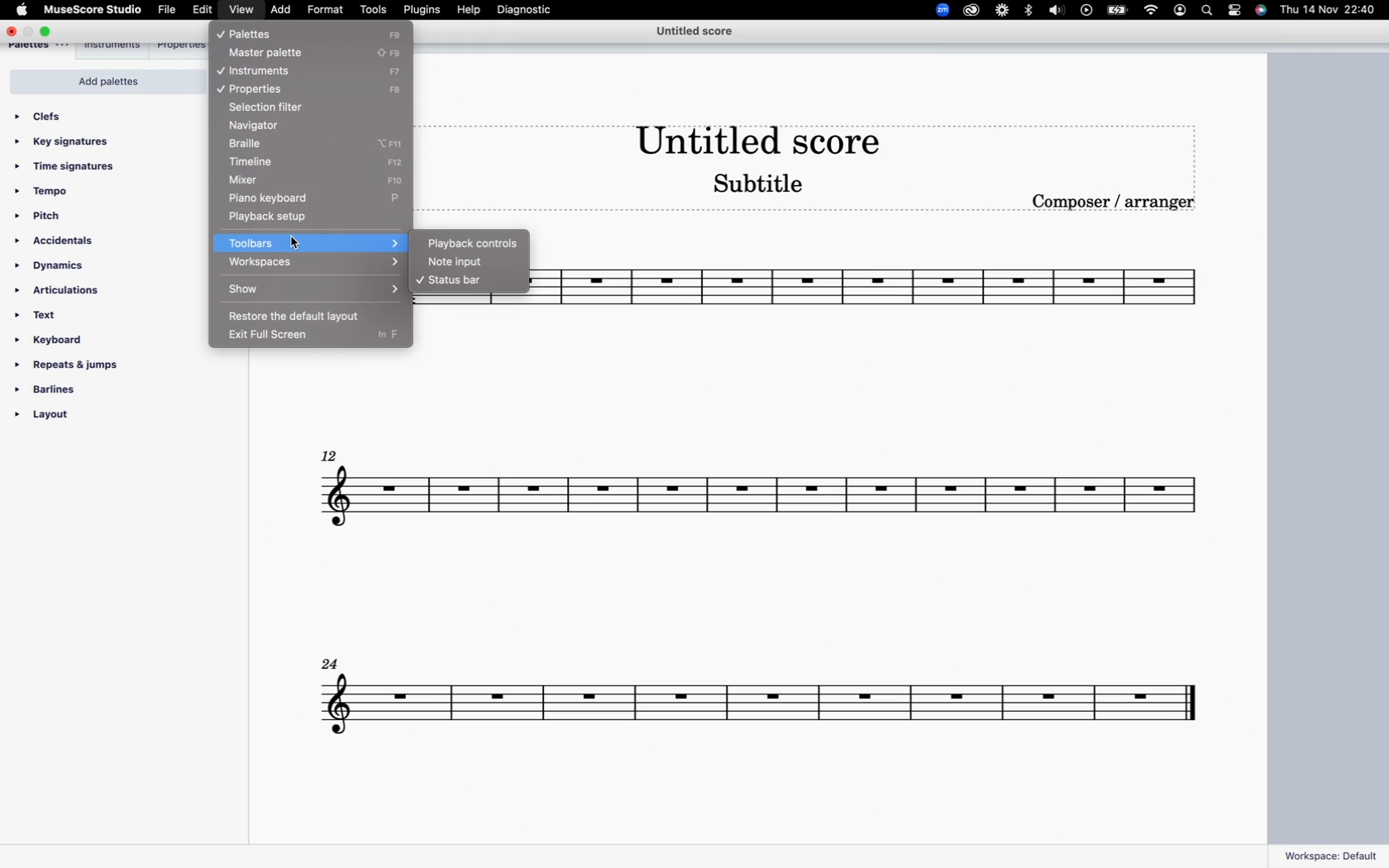  I want to click on file, so click(166, 11).